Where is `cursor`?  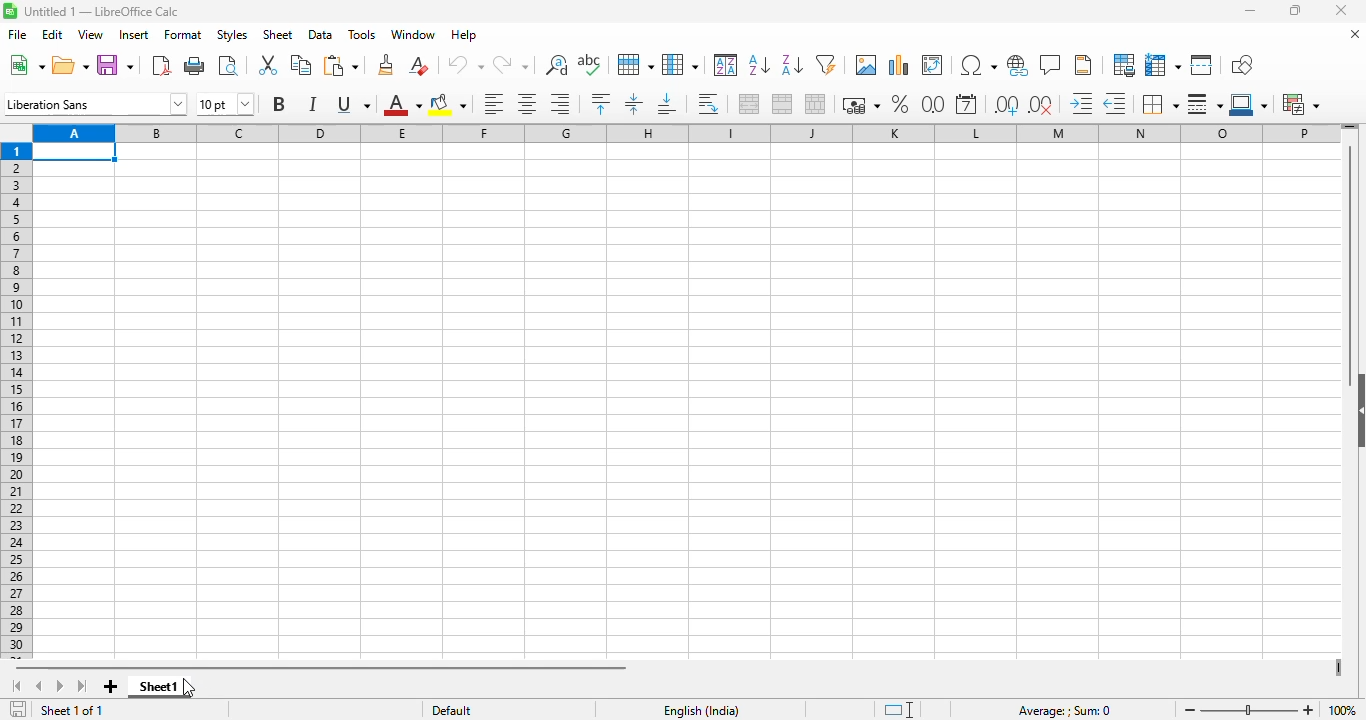 cursor is located at coordinates (188, 688).